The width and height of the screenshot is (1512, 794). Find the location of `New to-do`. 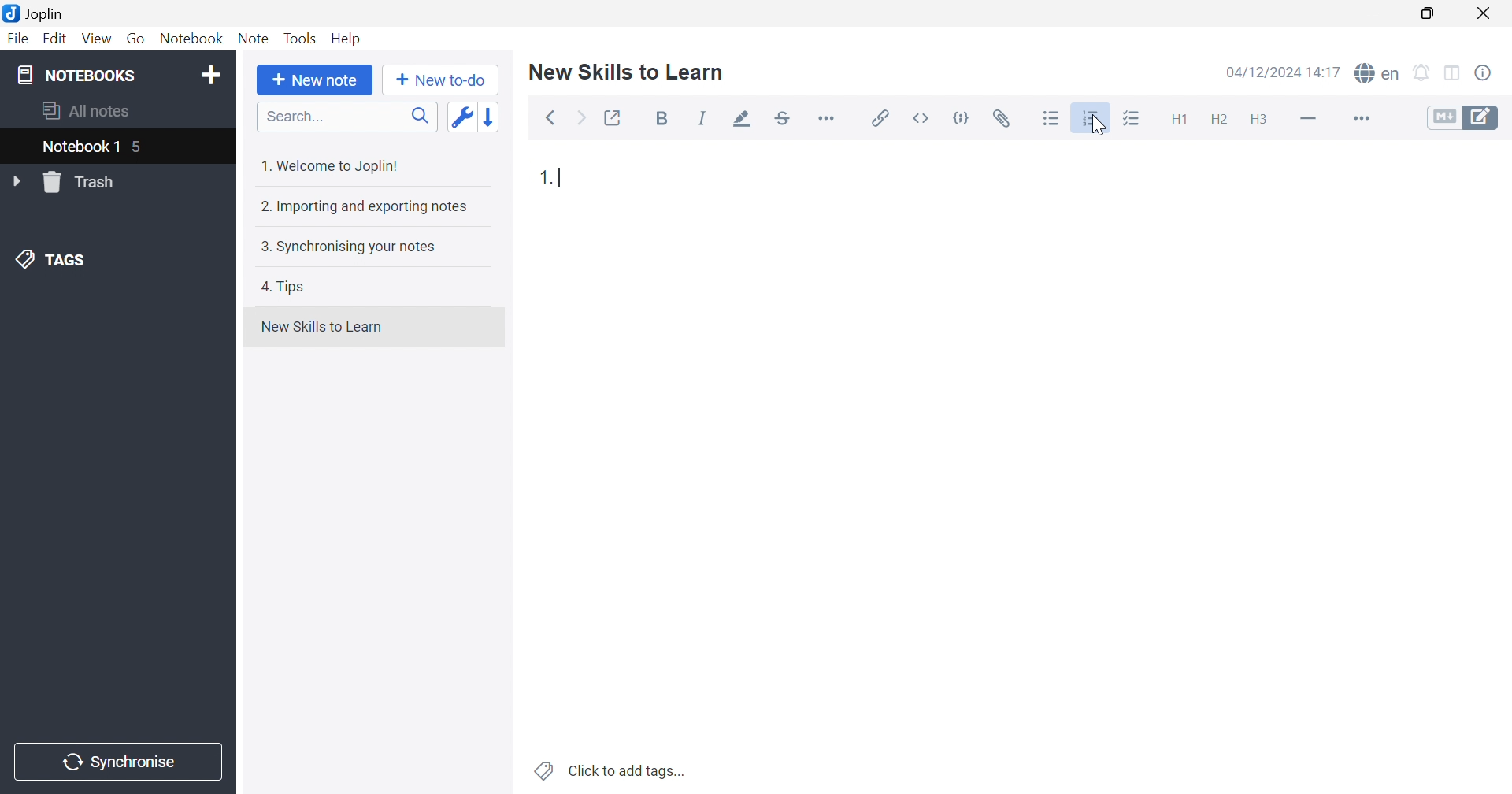

New to-do is located at coordinates (439, 80).